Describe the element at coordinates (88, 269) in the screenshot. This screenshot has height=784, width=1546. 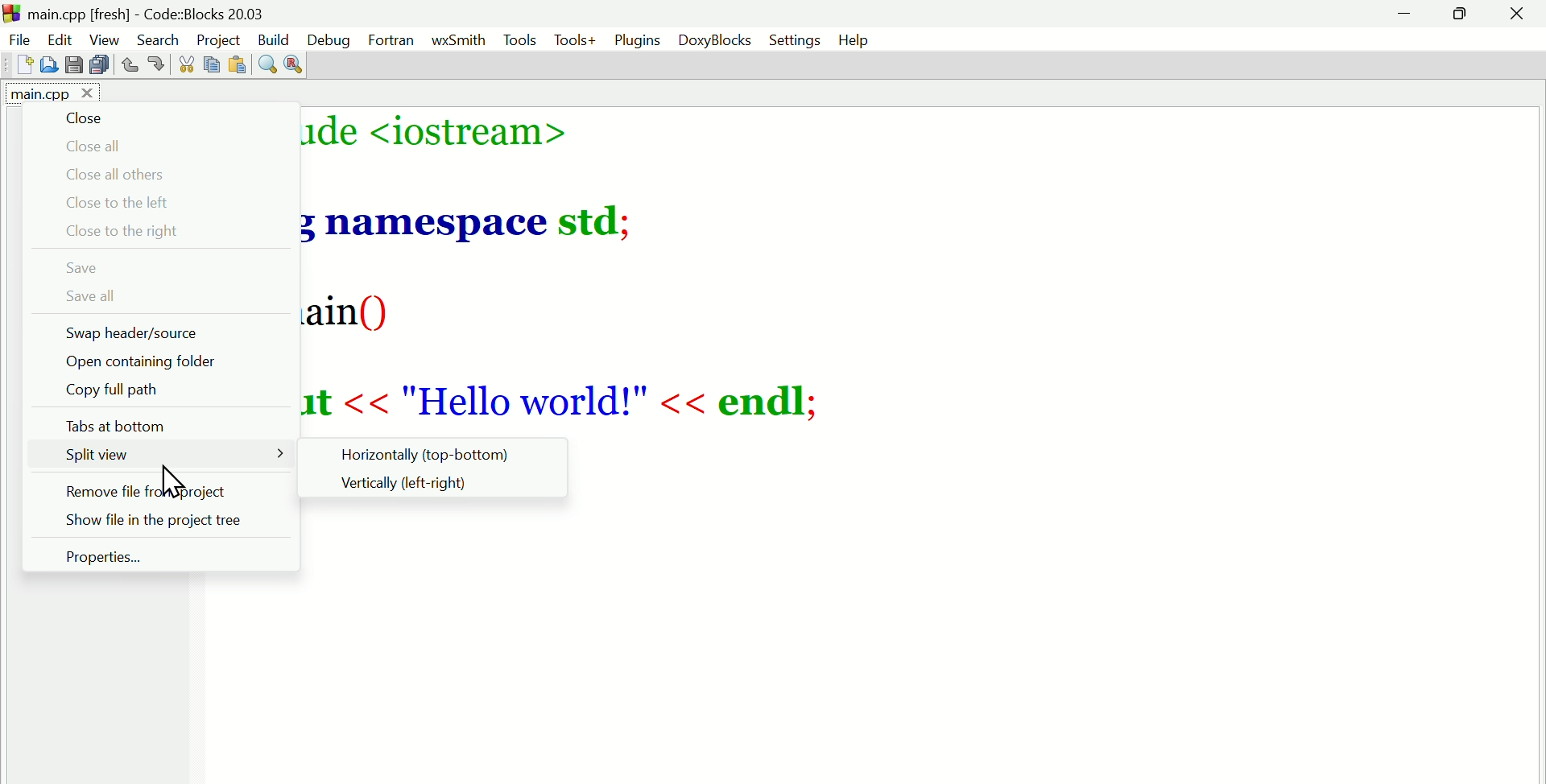
I see `Save` at that location.